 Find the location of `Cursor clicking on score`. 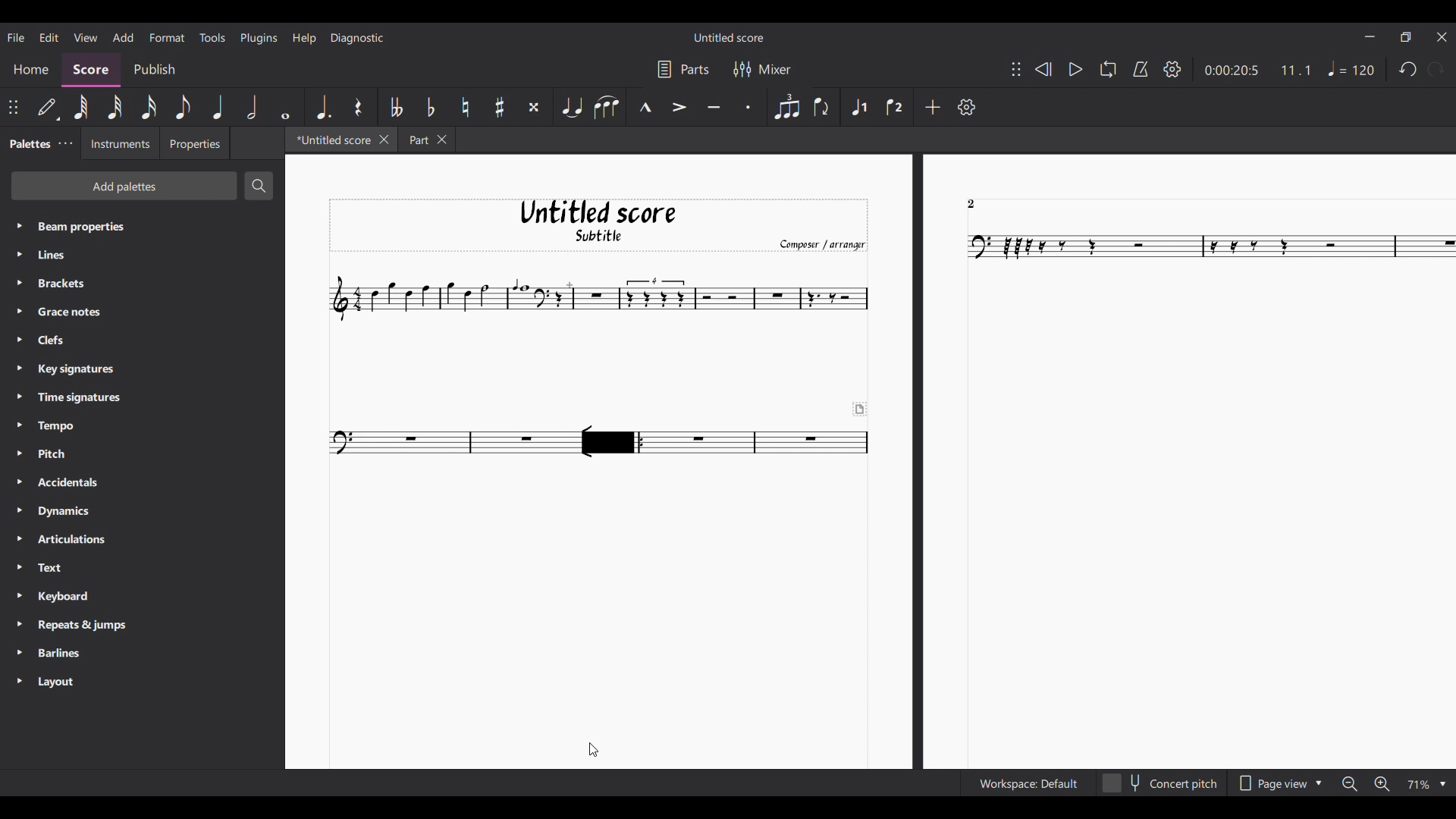

Cursor clicking on score is located at coordinates (593, 750).